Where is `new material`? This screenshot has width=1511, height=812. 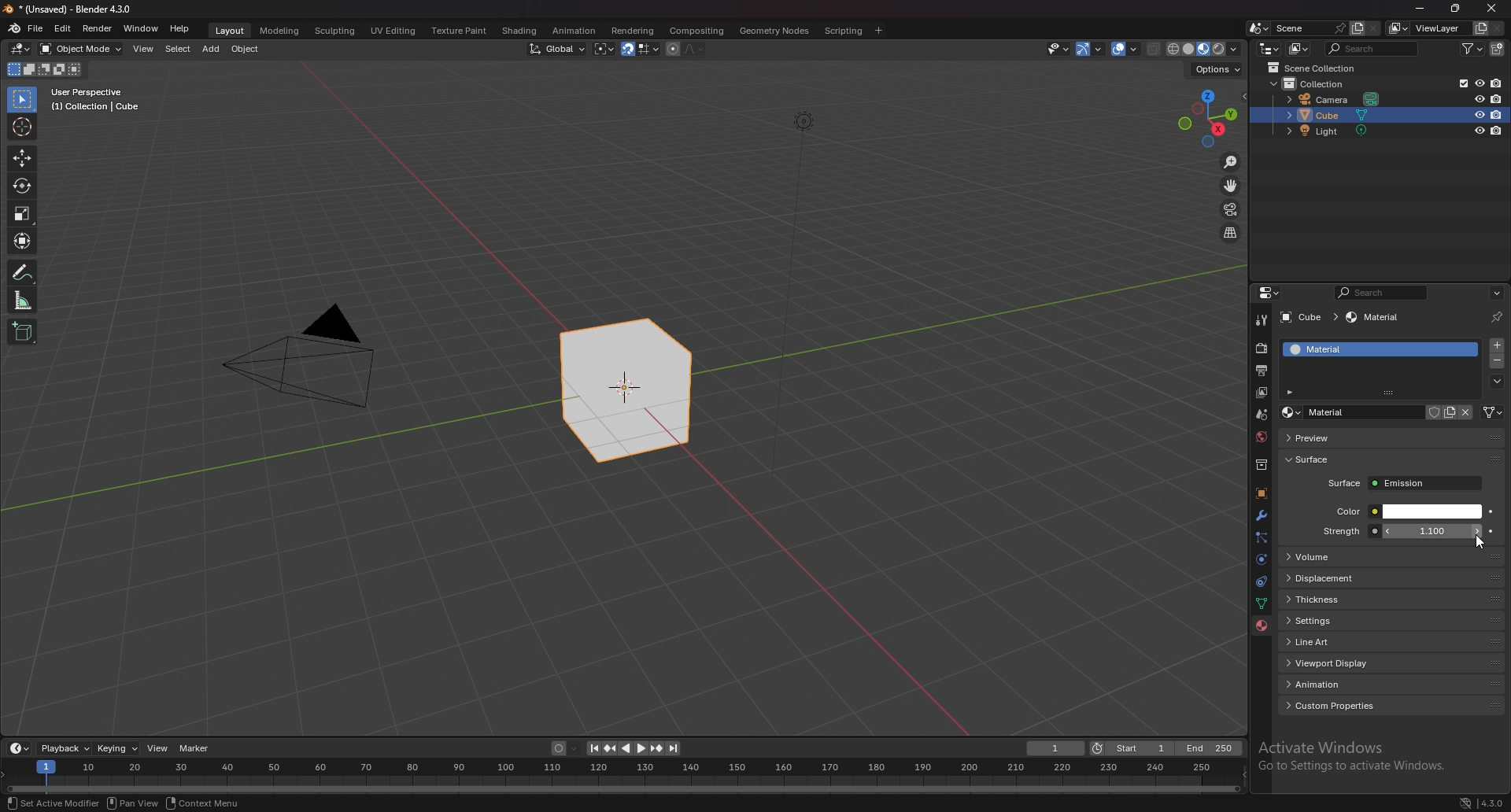
new material is located at coordinates (1450, 412).